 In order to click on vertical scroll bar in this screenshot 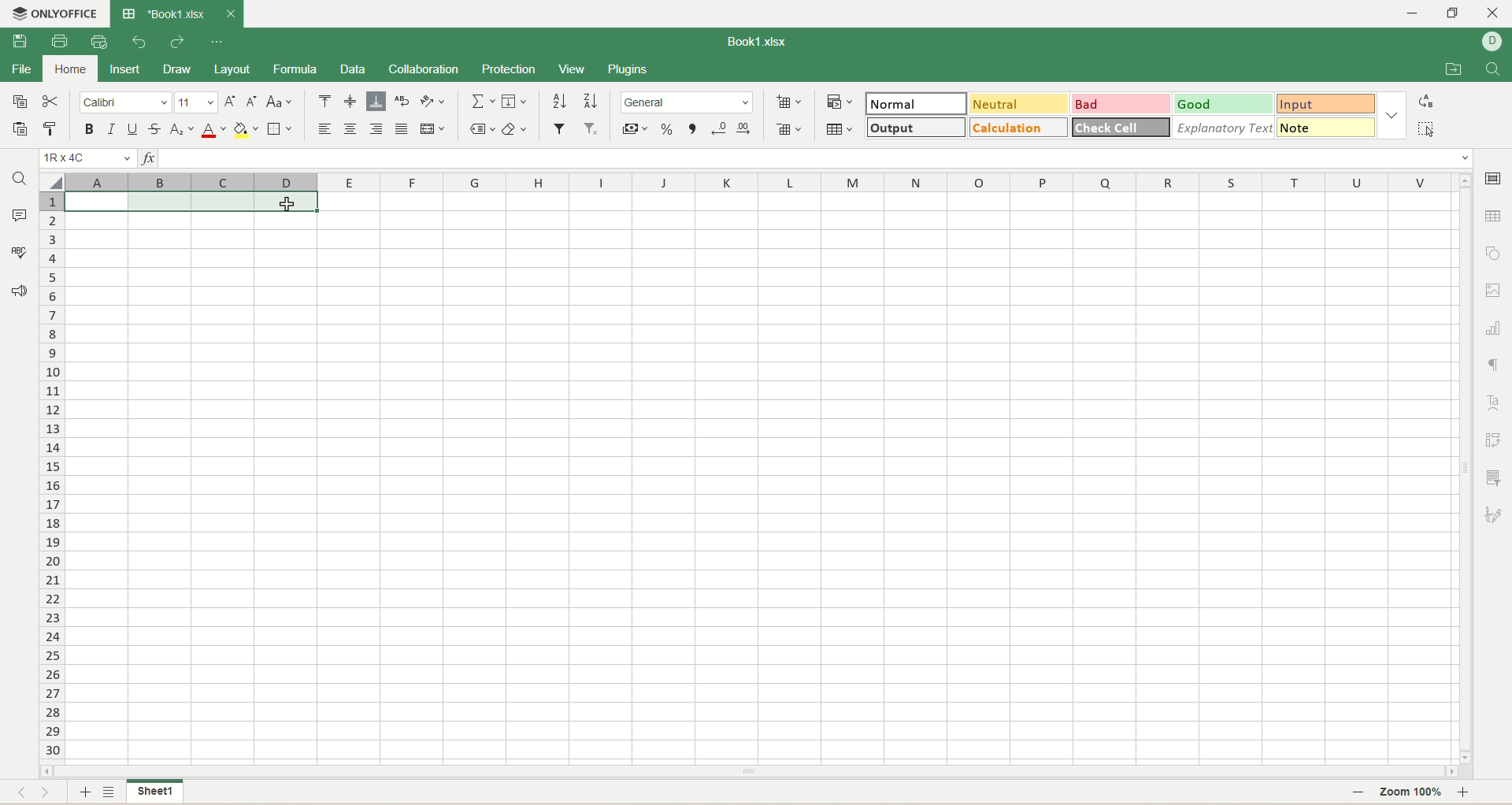, I will do `click(1463, 467)`.